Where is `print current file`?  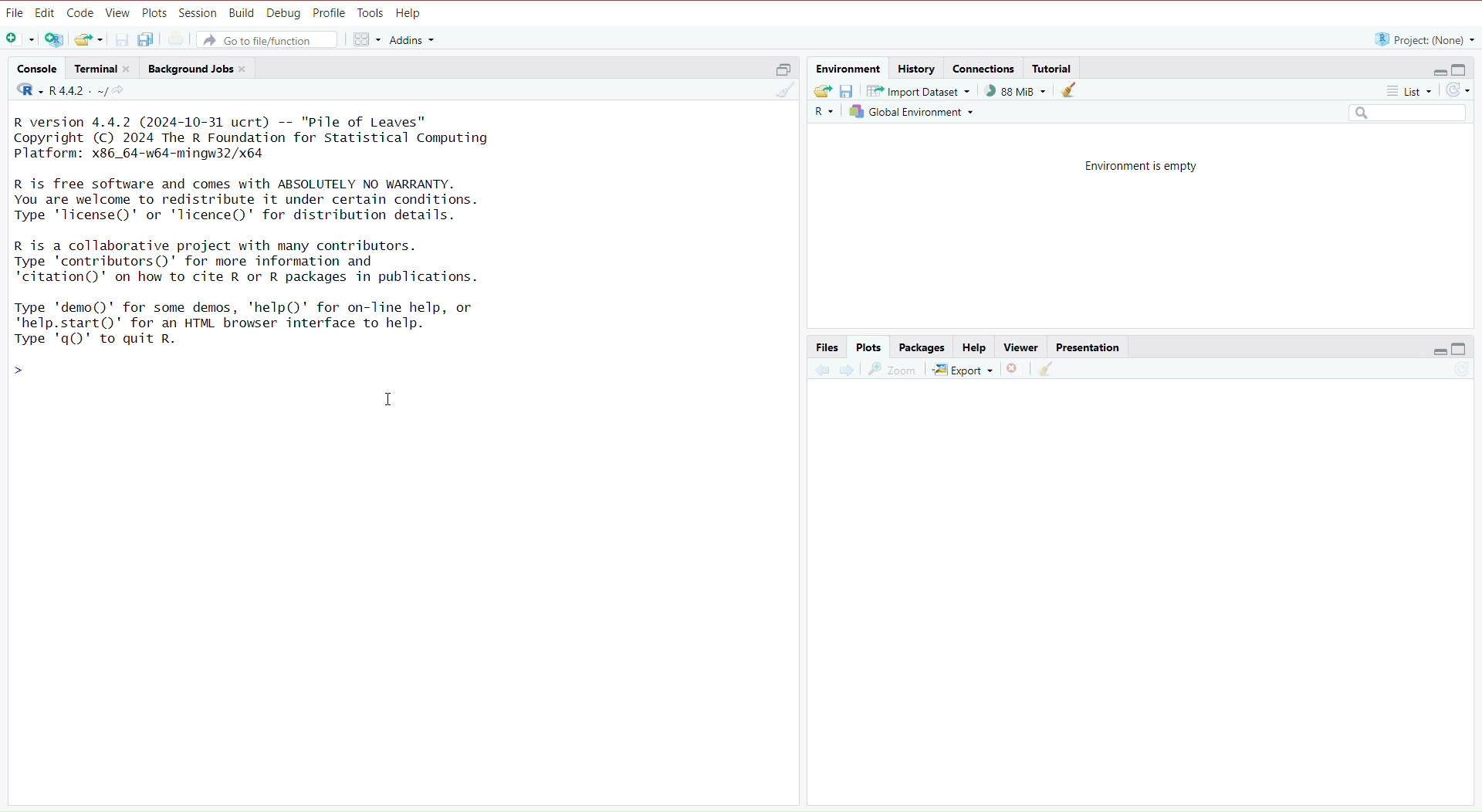
print current file is located at coordinates (178, 39).